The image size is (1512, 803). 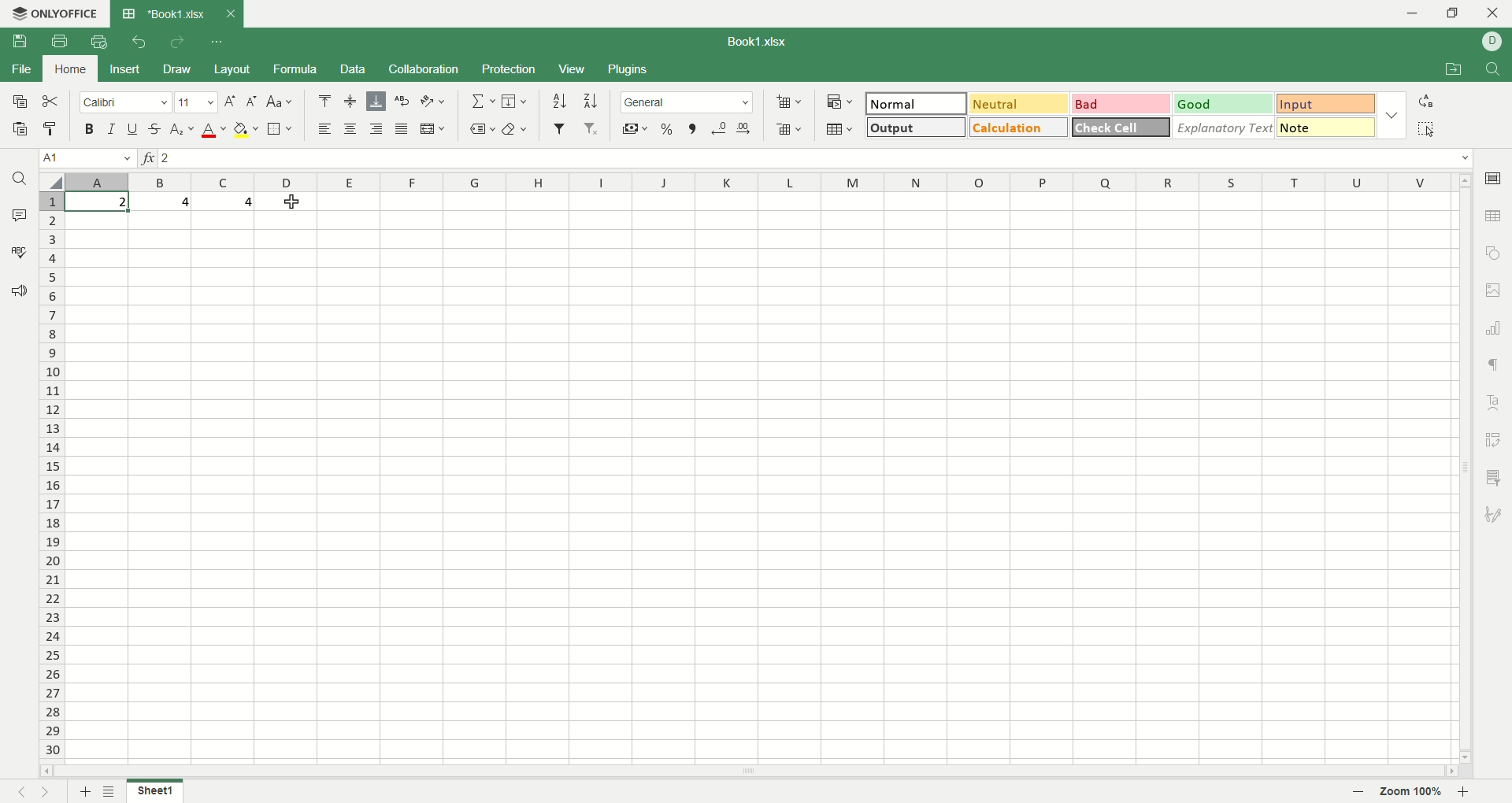 What do you see at coordinates (1492, 217) in the screenshot?
I see `table settings` at bounding box center [1492, 217].